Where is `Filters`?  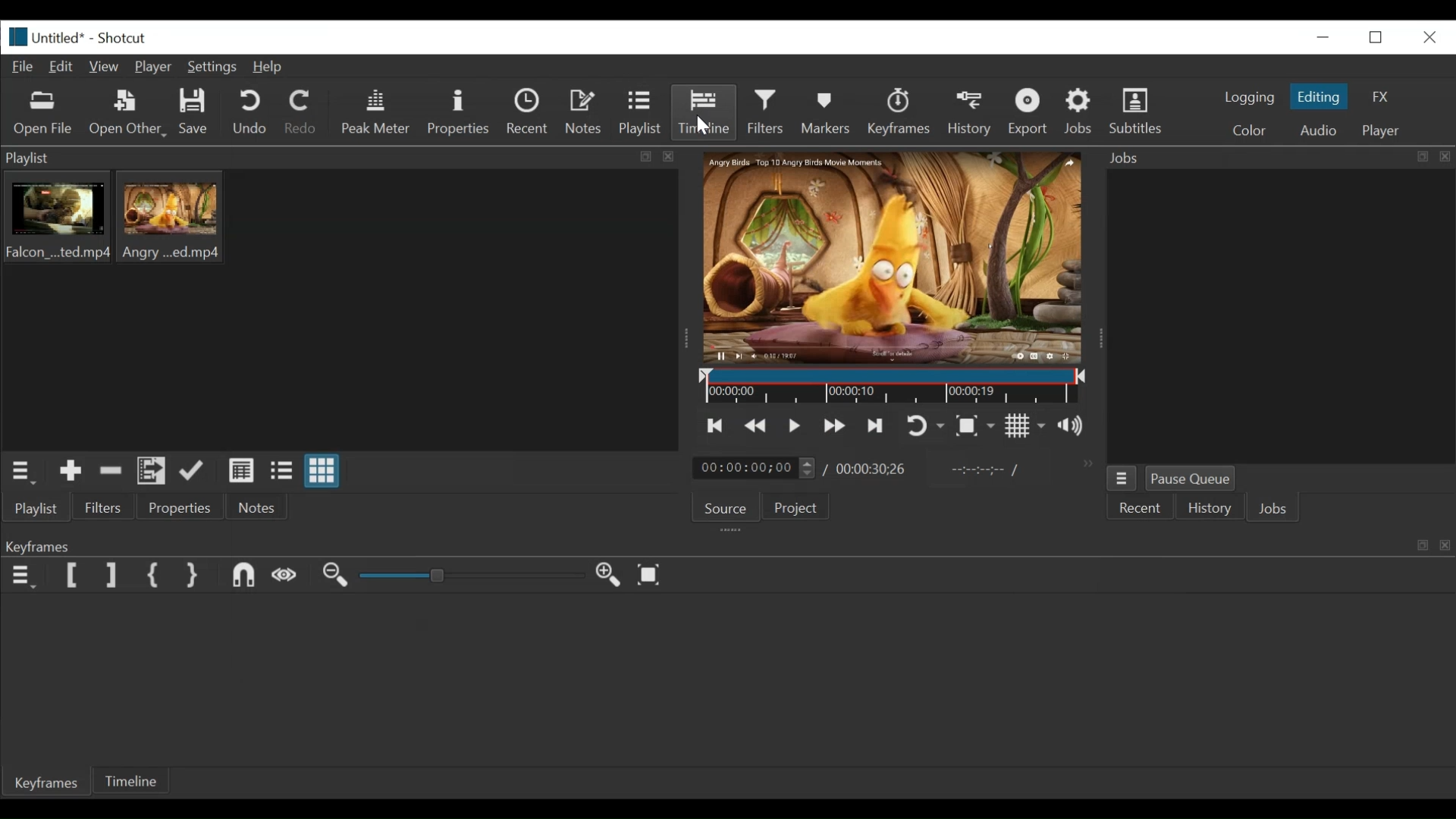
Filters is located at coordinates (770, 112).